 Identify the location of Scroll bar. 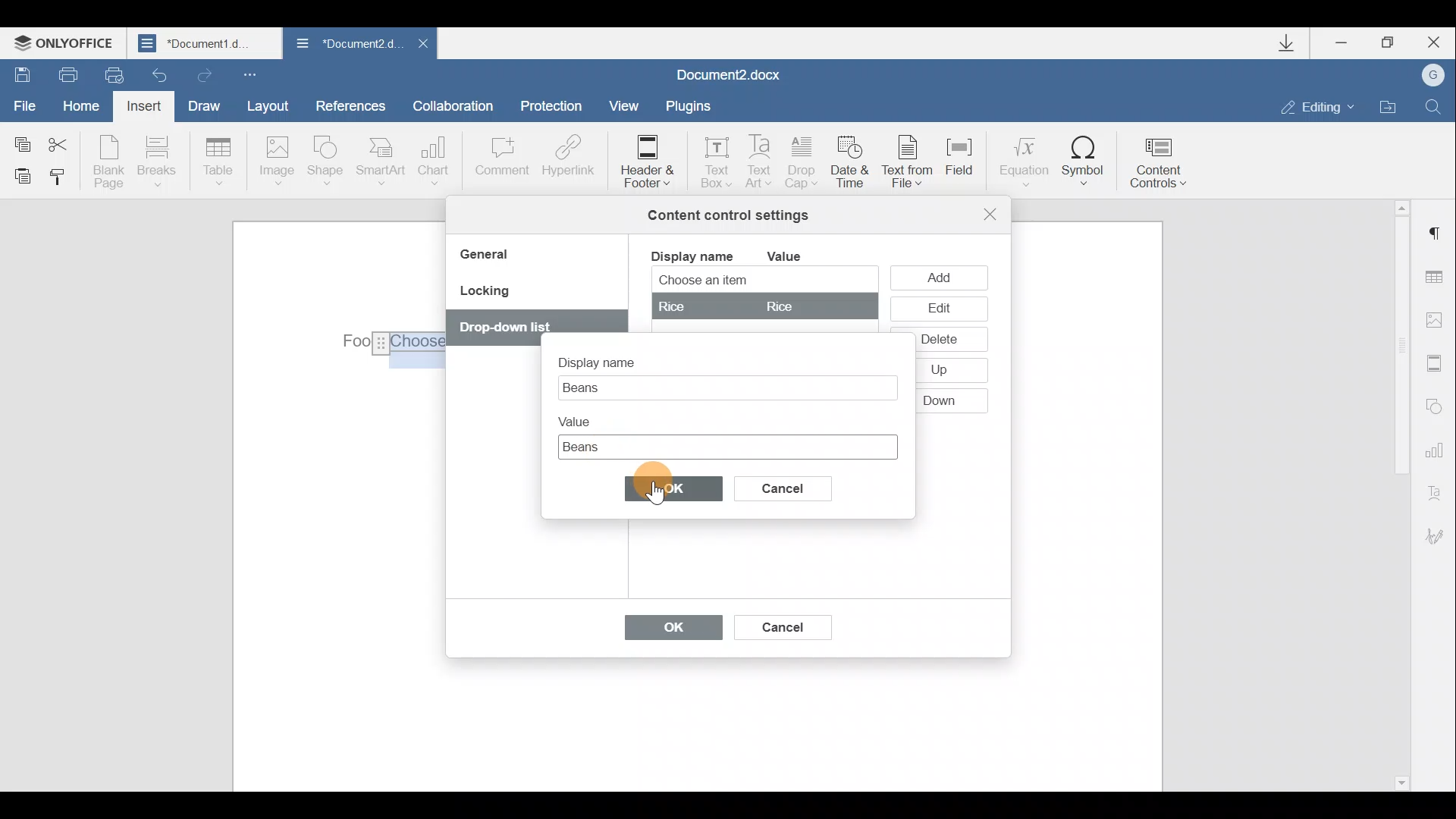
(1397, 493).